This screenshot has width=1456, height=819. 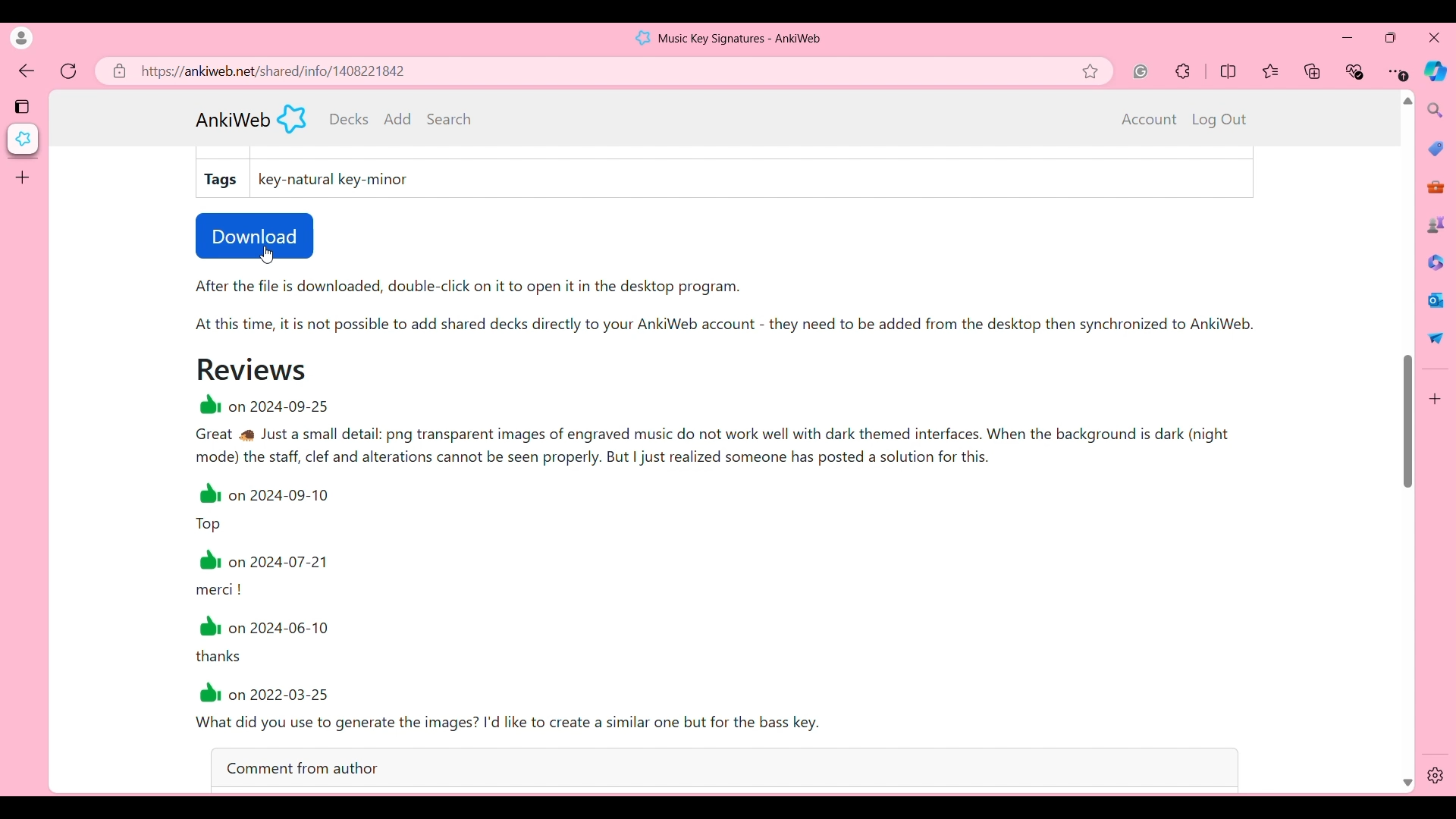 What do you see at coordinates (1407, 783) in the screenshot?
I see `Quick slide to bottom` at bounding box center [1407, 783].